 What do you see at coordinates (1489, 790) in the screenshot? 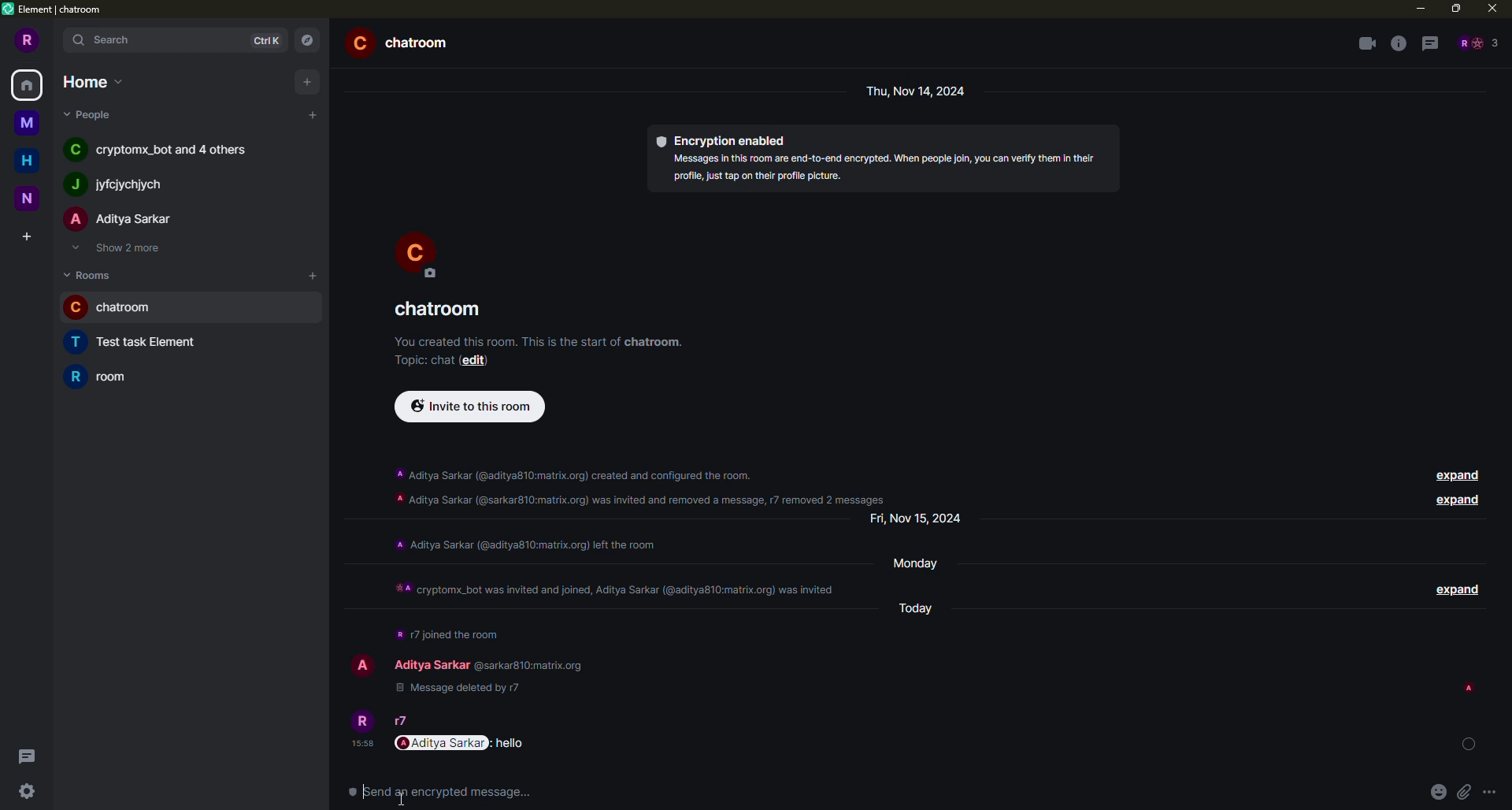
I see `sed` at bounding box center [1489, 790].